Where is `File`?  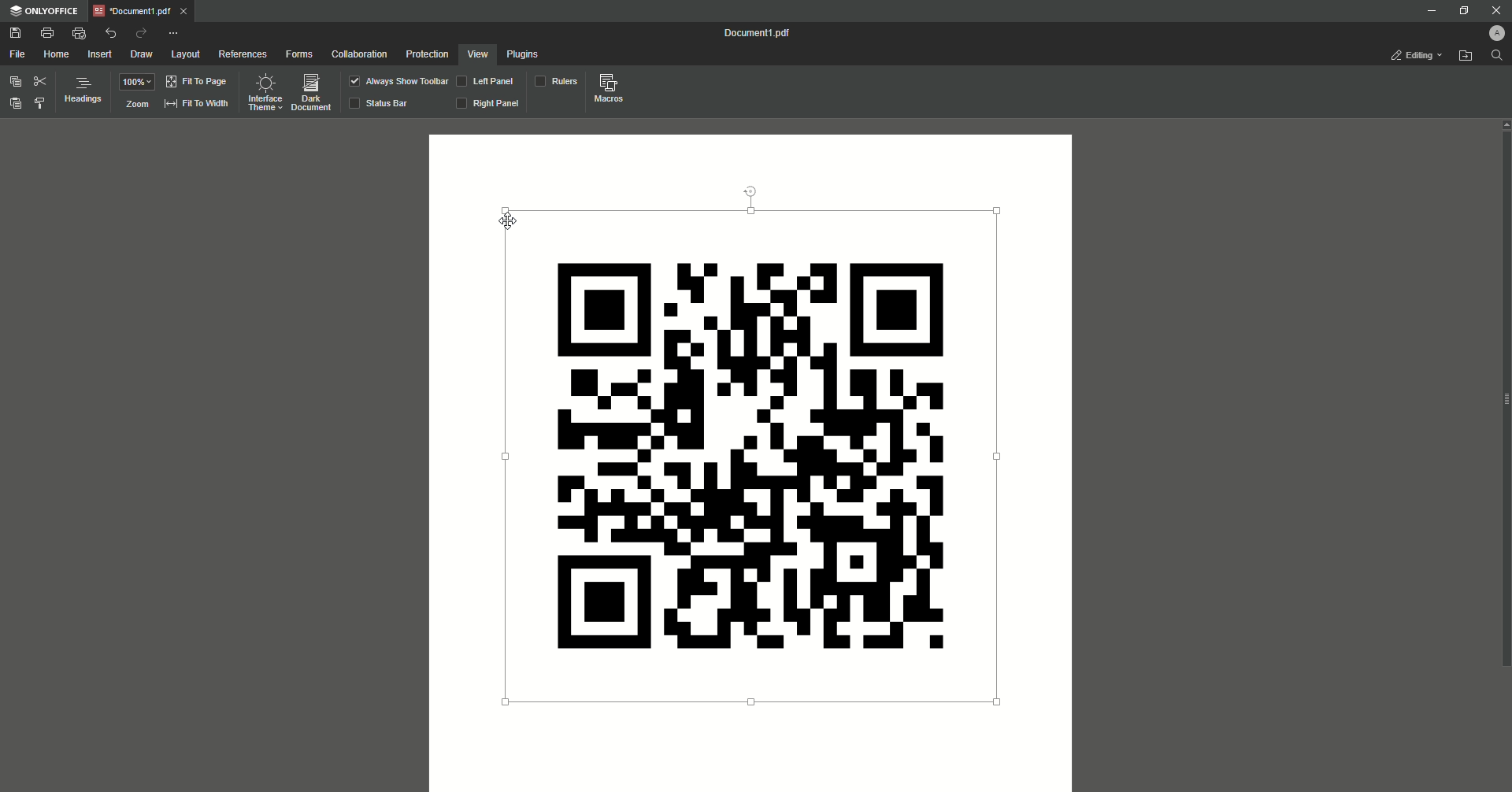 File is located at coordinates (20, 54).